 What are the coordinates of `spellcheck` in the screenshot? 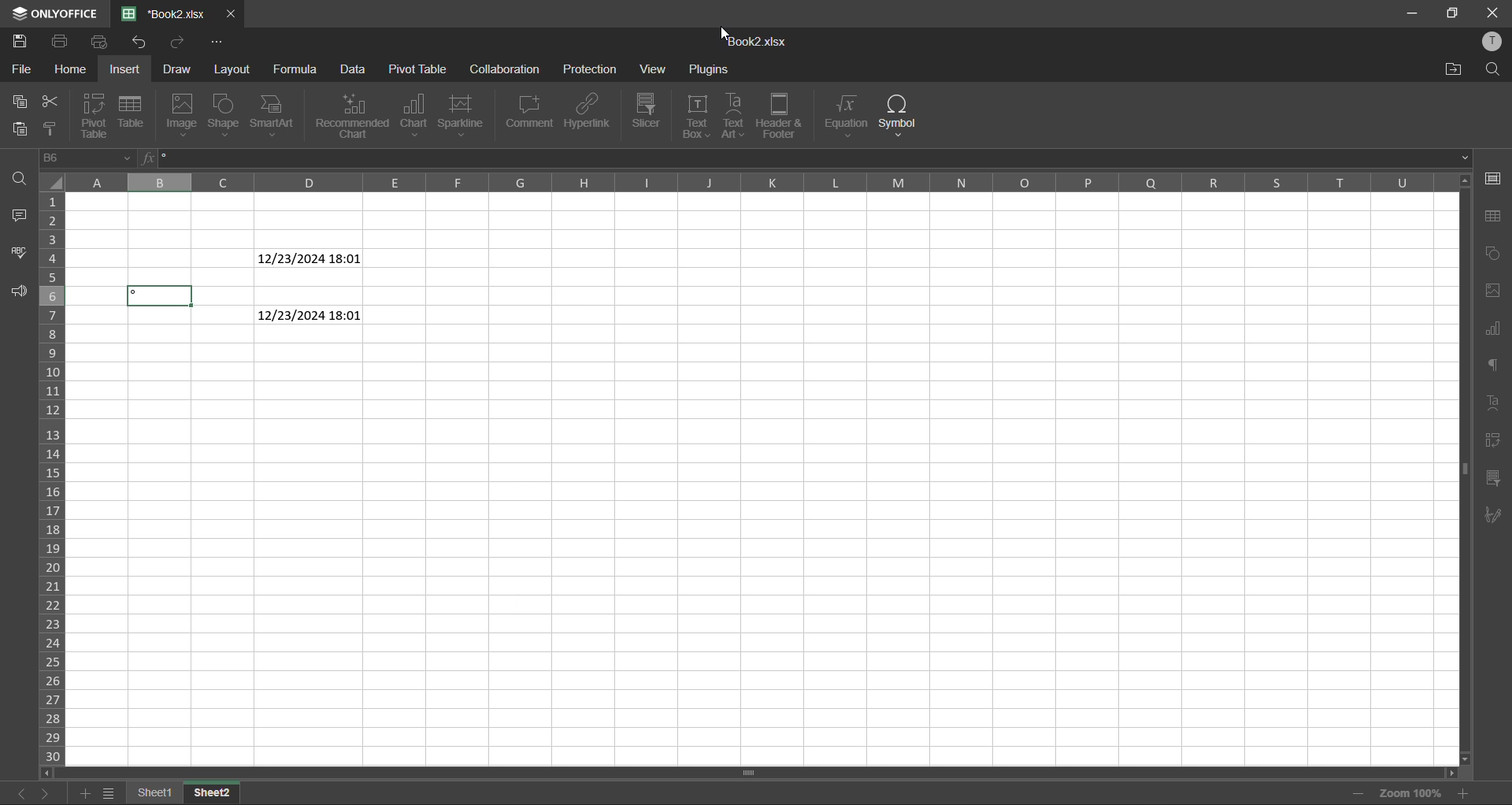 It's located at (21, 254).